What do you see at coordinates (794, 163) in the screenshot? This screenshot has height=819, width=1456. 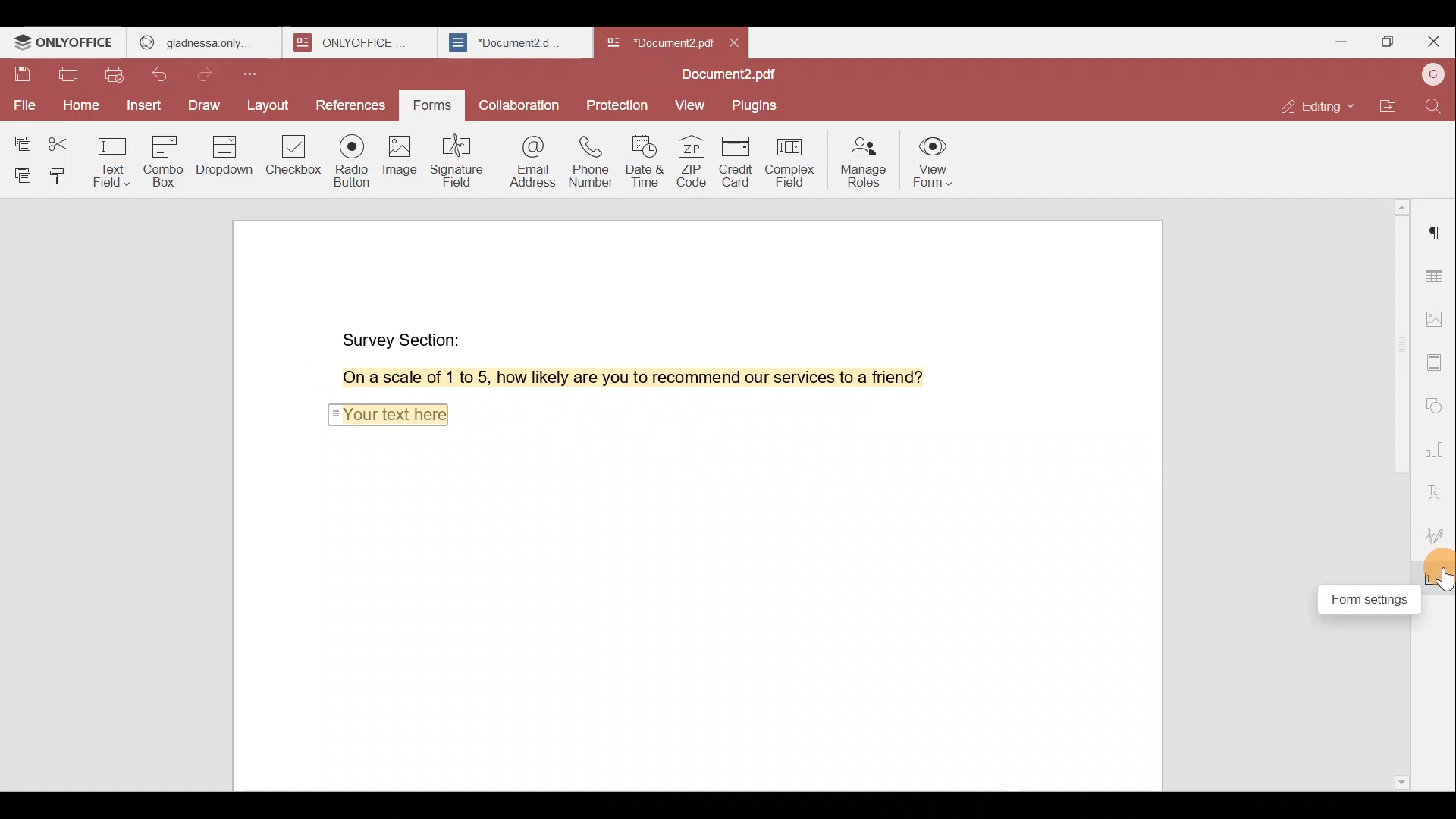 I see `Complex field` at bounding box center [794, 163].